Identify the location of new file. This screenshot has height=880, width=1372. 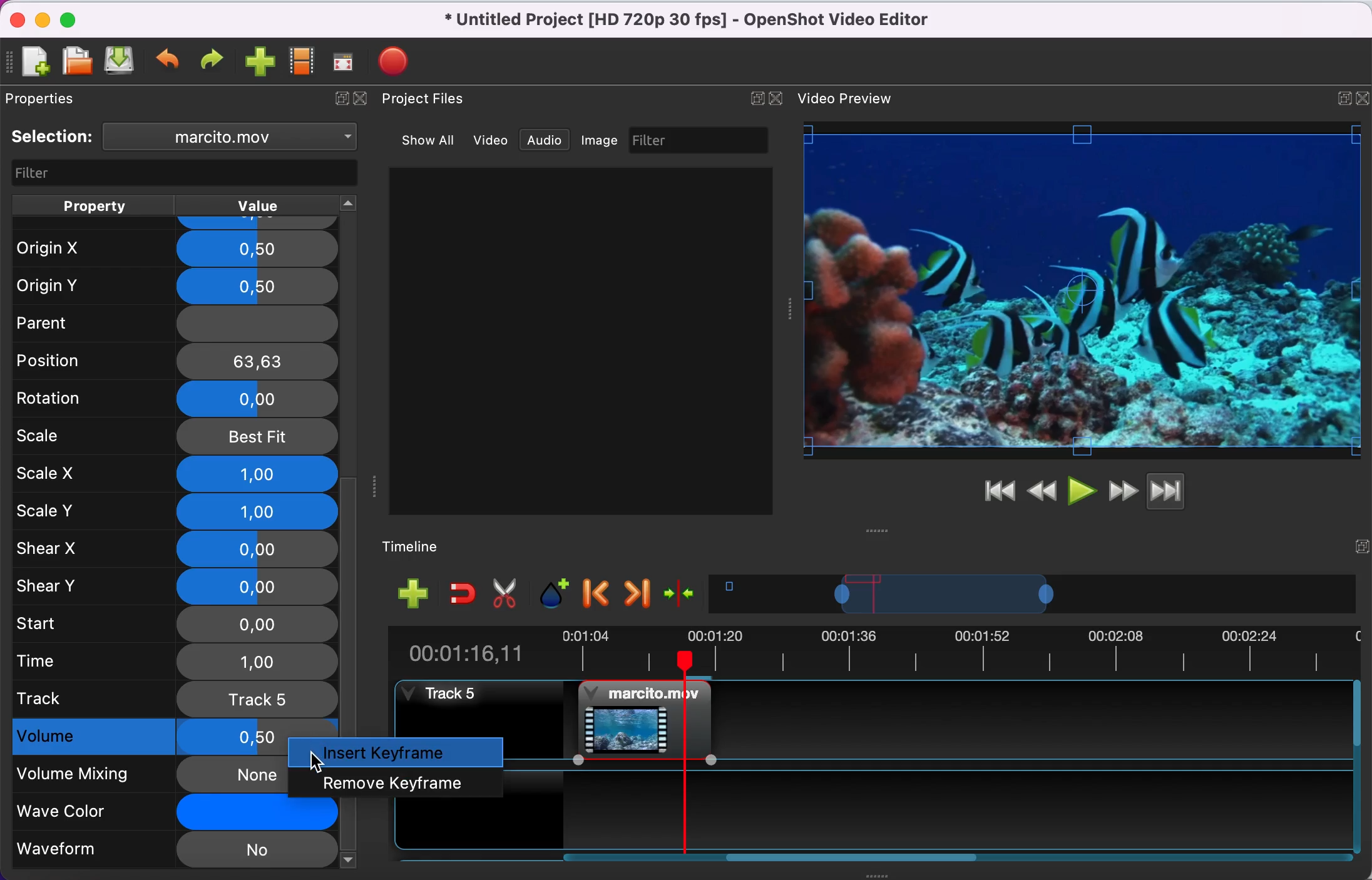
(35, 61).